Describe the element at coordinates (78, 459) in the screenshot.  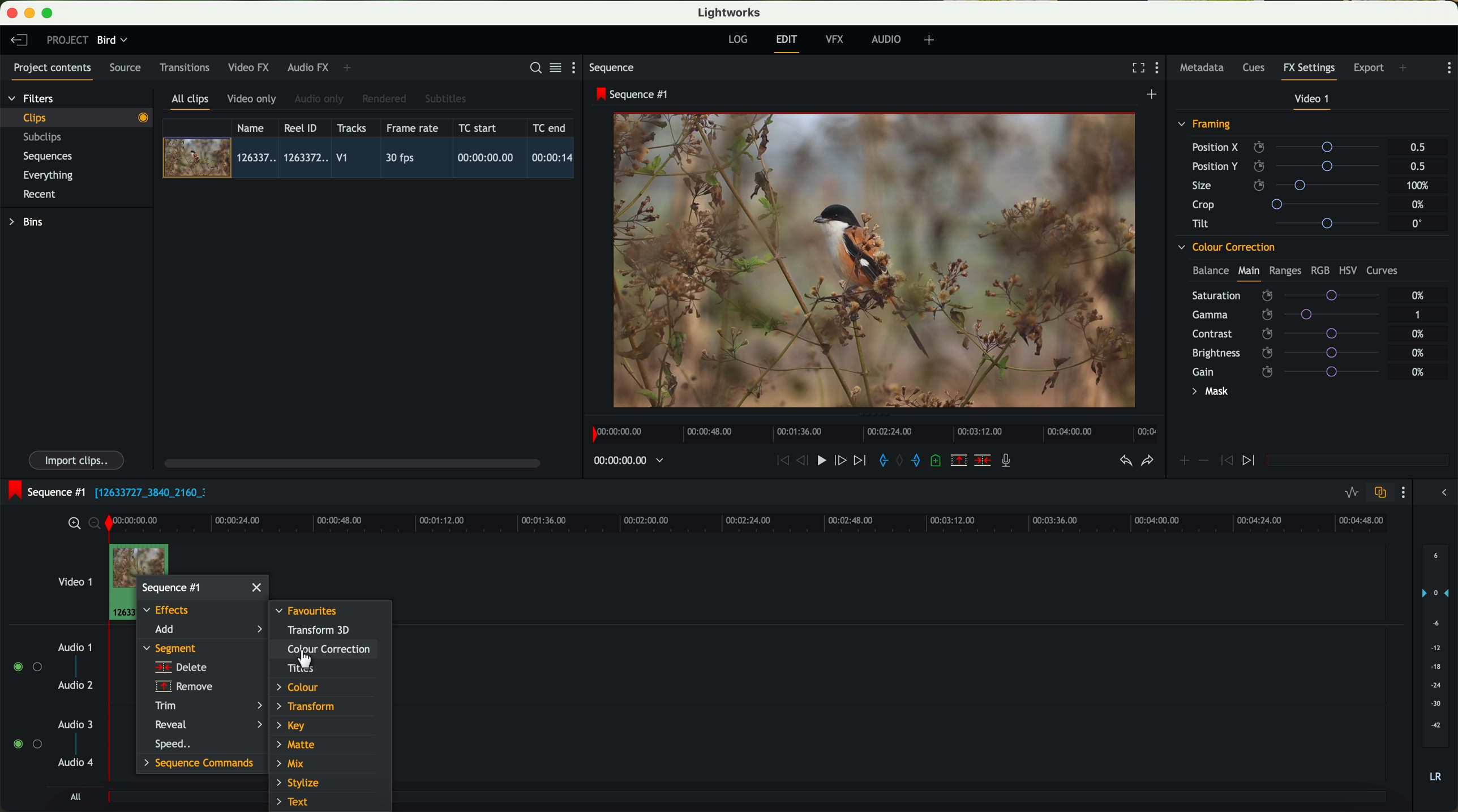
I see `import clips` at that location.